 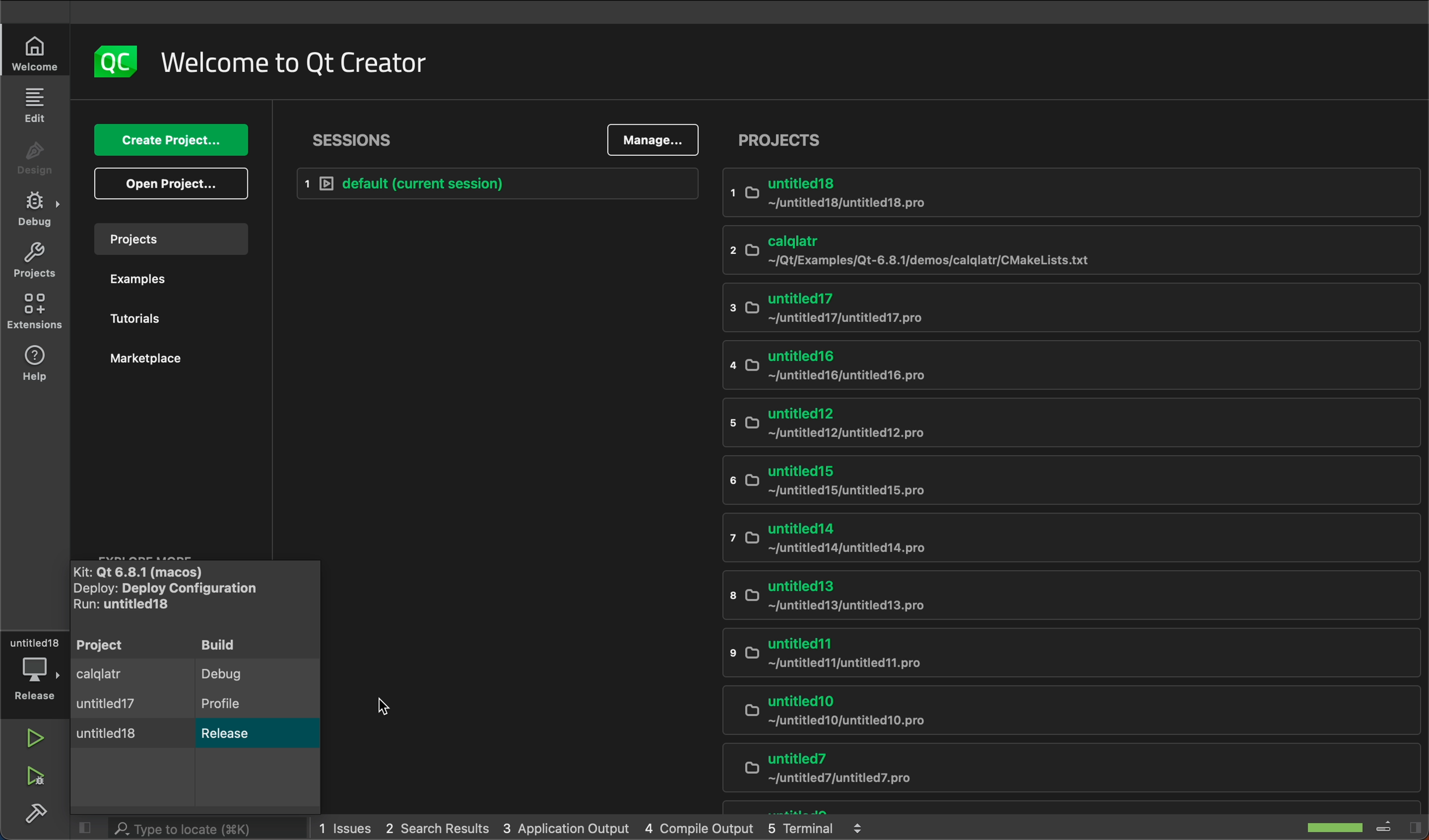 I want to click on logo, so click(x=115, y=60).